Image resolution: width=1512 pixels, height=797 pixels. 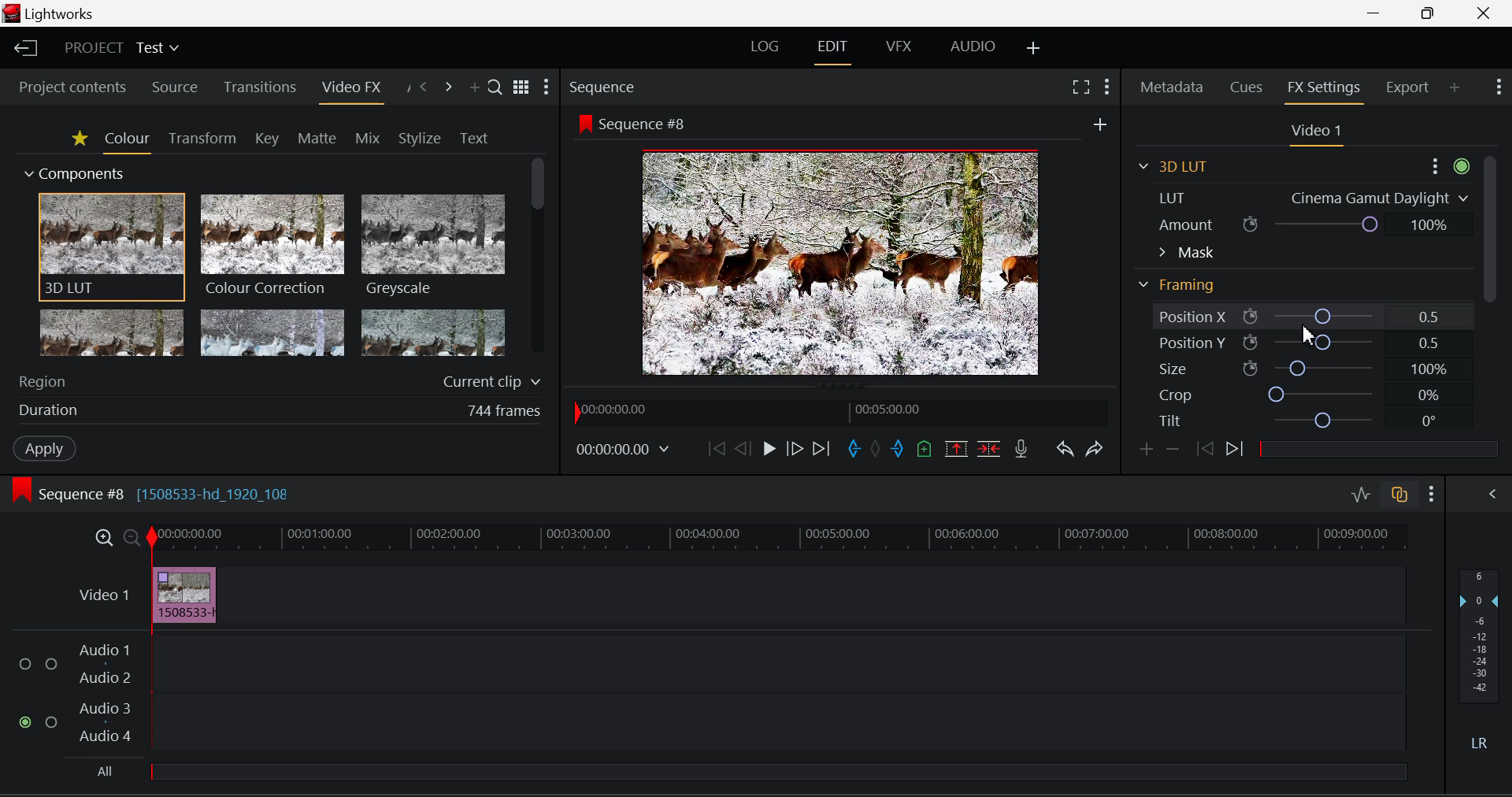 I want to click on Mark Out, so click(x=898, y=449).